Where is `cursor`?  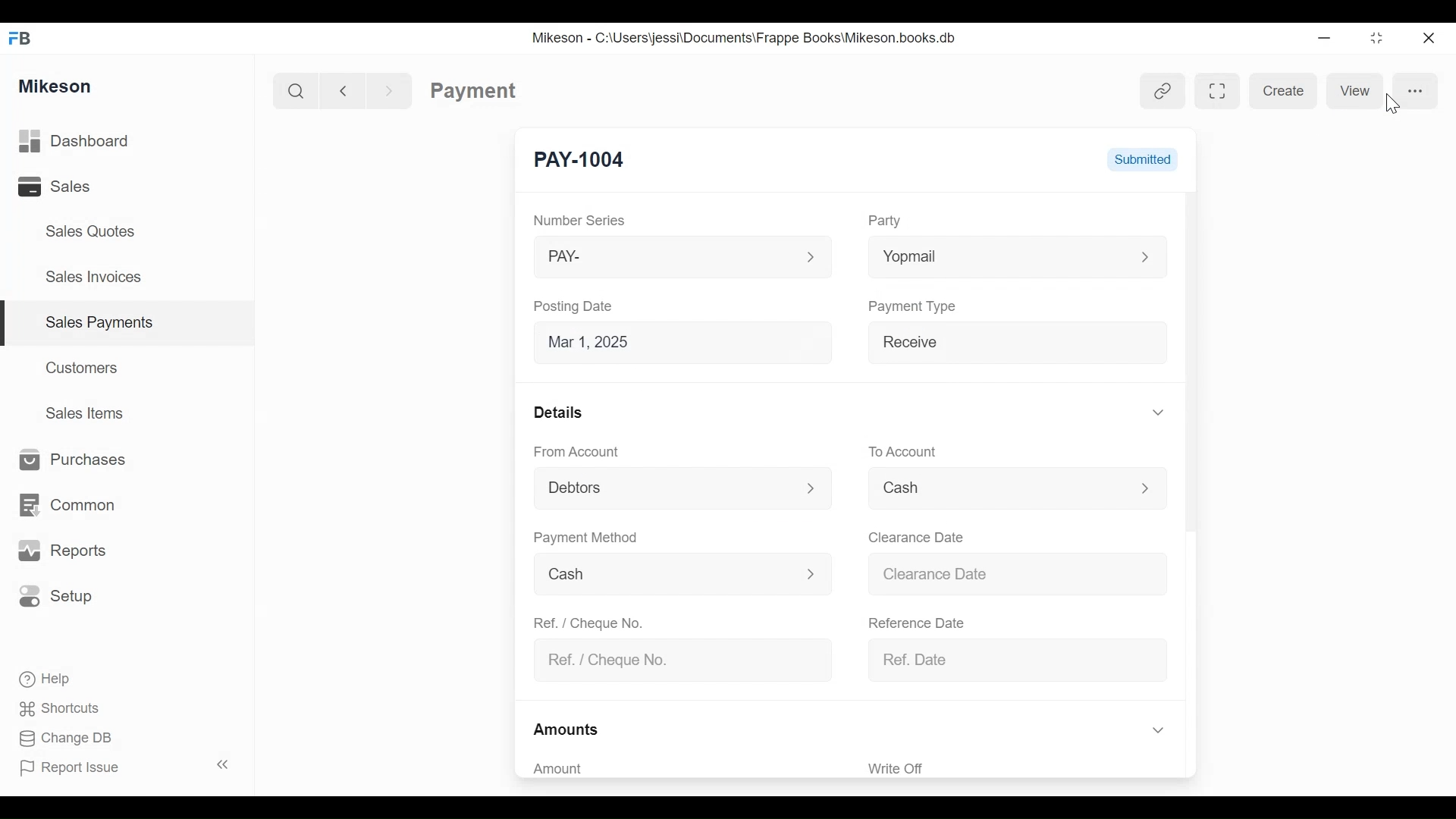
cursor is located at coordinates (1390, 110).